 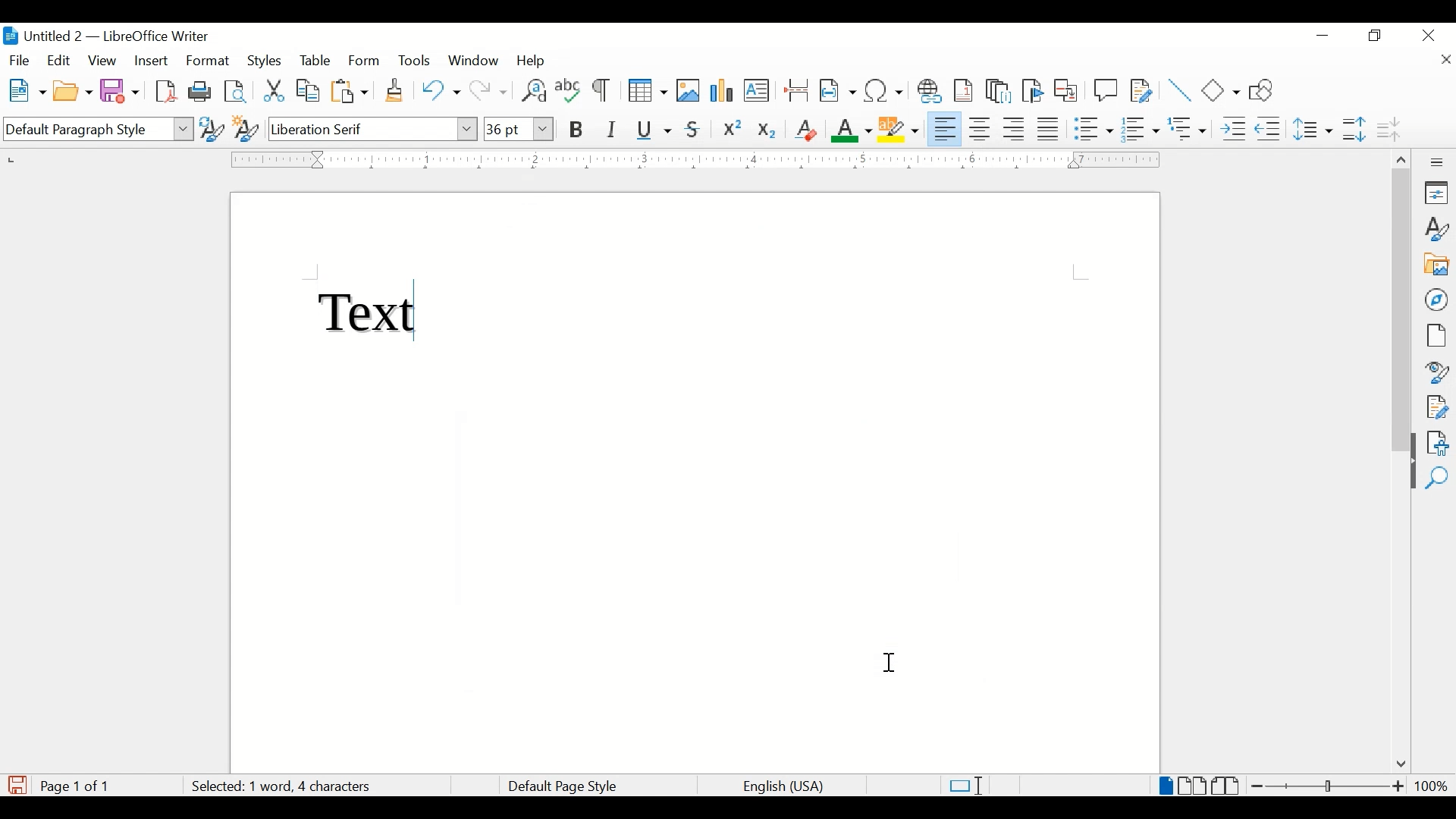 I want to click on untitled 2 - libreOffice Writer, so click(x=105, y=39).